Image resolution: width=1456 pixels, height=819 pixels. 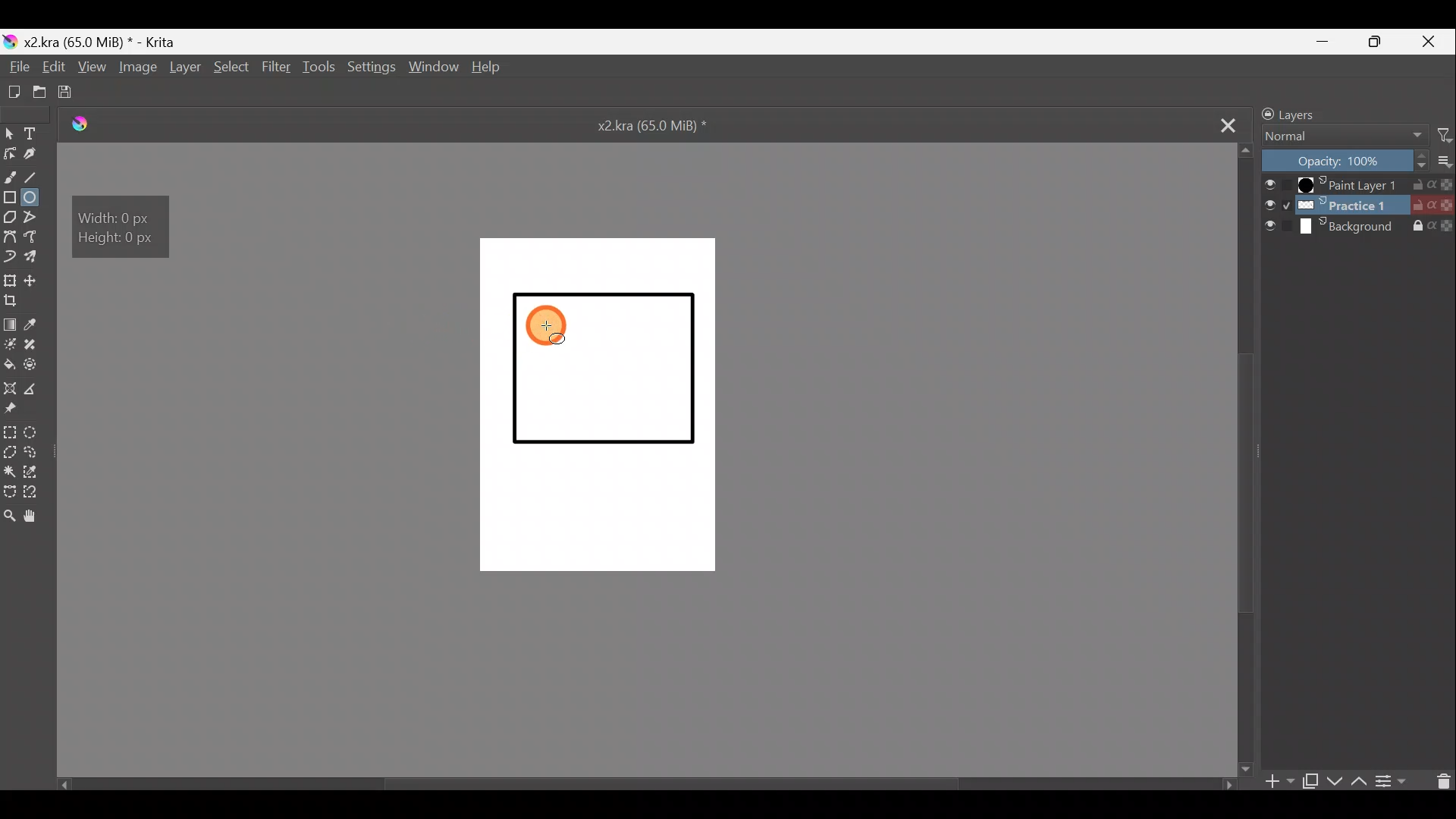 What do you see at coordinates (11, 196) in the screenshot?
I see `Rectangle tool` at bounding box center [11, 196].